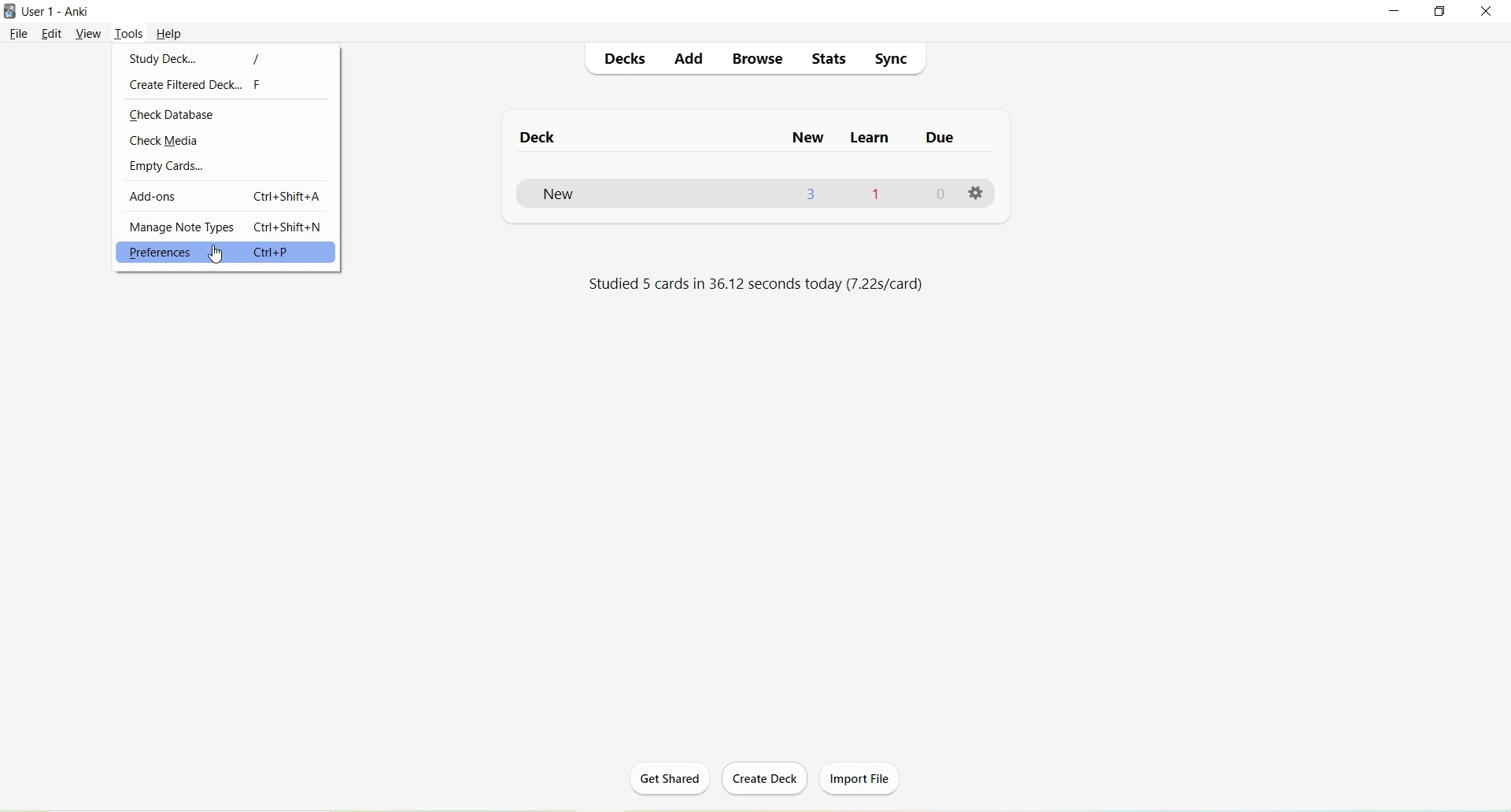 The height and width of the screenshot is (812, 1511). Describe the element at coordinates (290, 252) in the screenshot. I see `Ctrl+P` at that location.